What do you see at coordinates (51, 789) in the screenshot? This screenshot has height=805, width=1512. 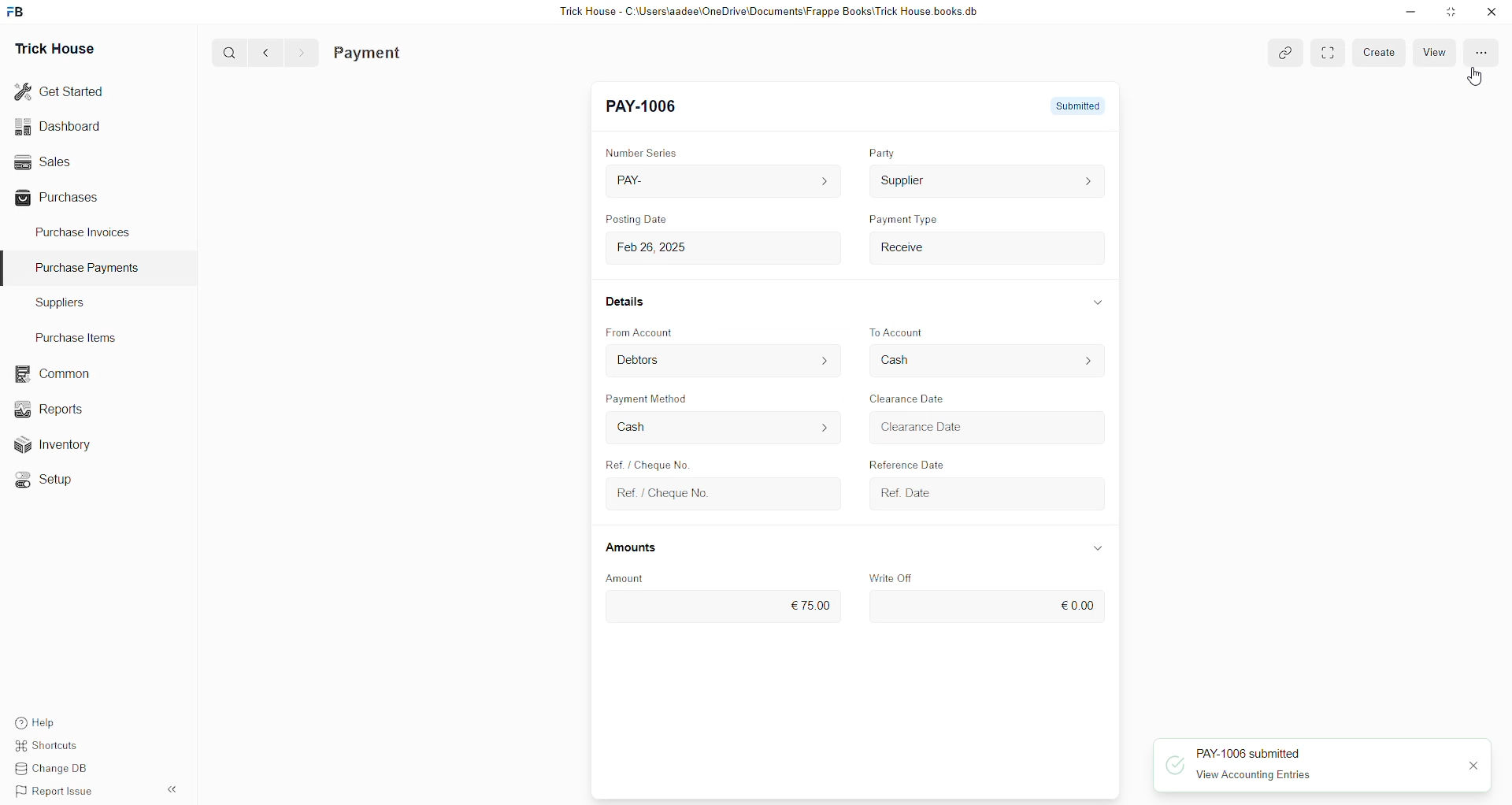 I see `Report Issue` at bounding box center [51, 789].